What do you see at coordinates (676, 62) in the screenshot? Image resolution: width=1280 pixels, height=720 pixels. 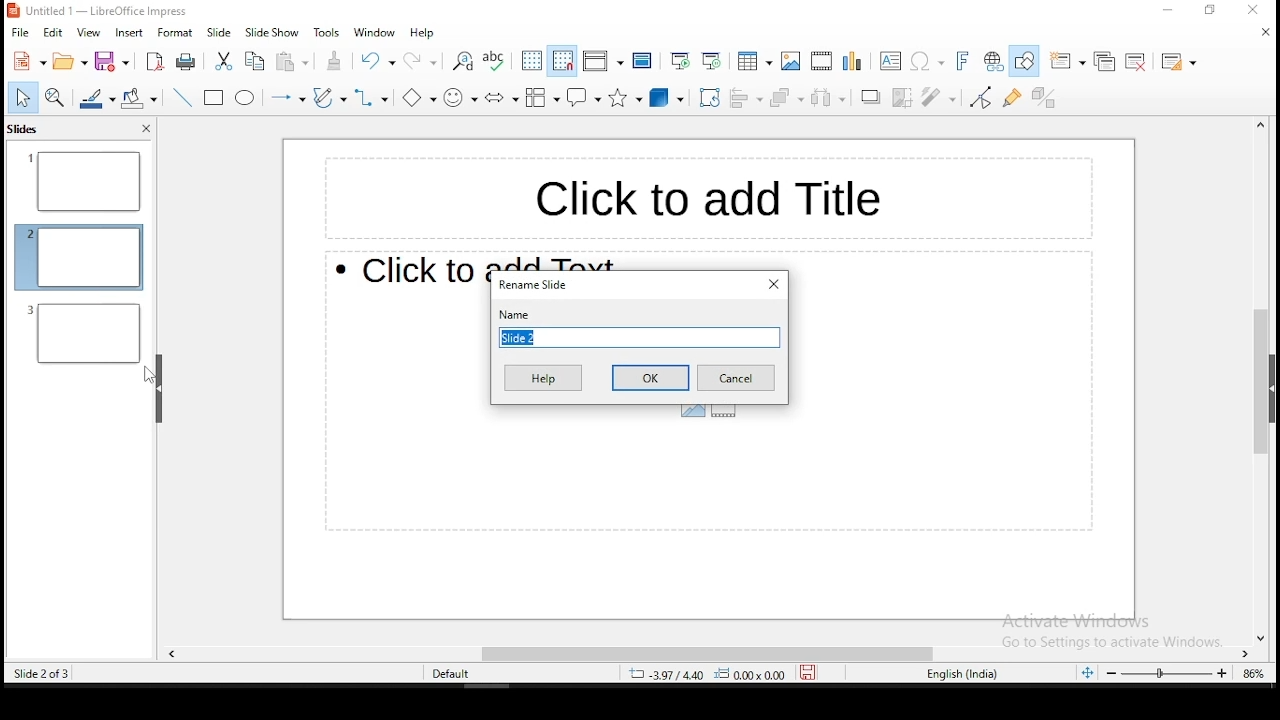 I see `start from first slide` at bounding box center [676, 62].